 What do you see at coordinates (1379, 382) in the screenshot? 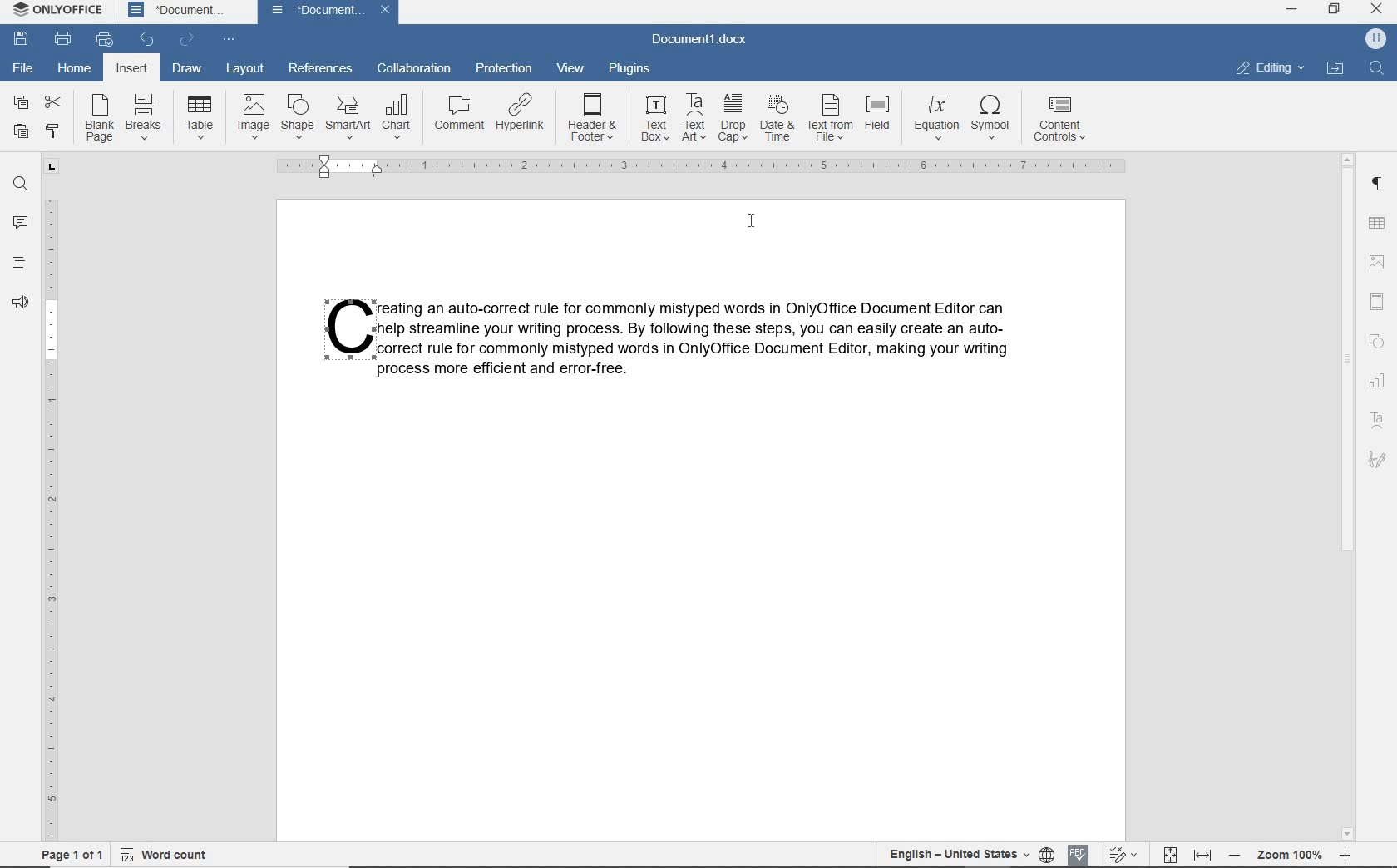
I see `chart` at bounding box center [1379, 382].